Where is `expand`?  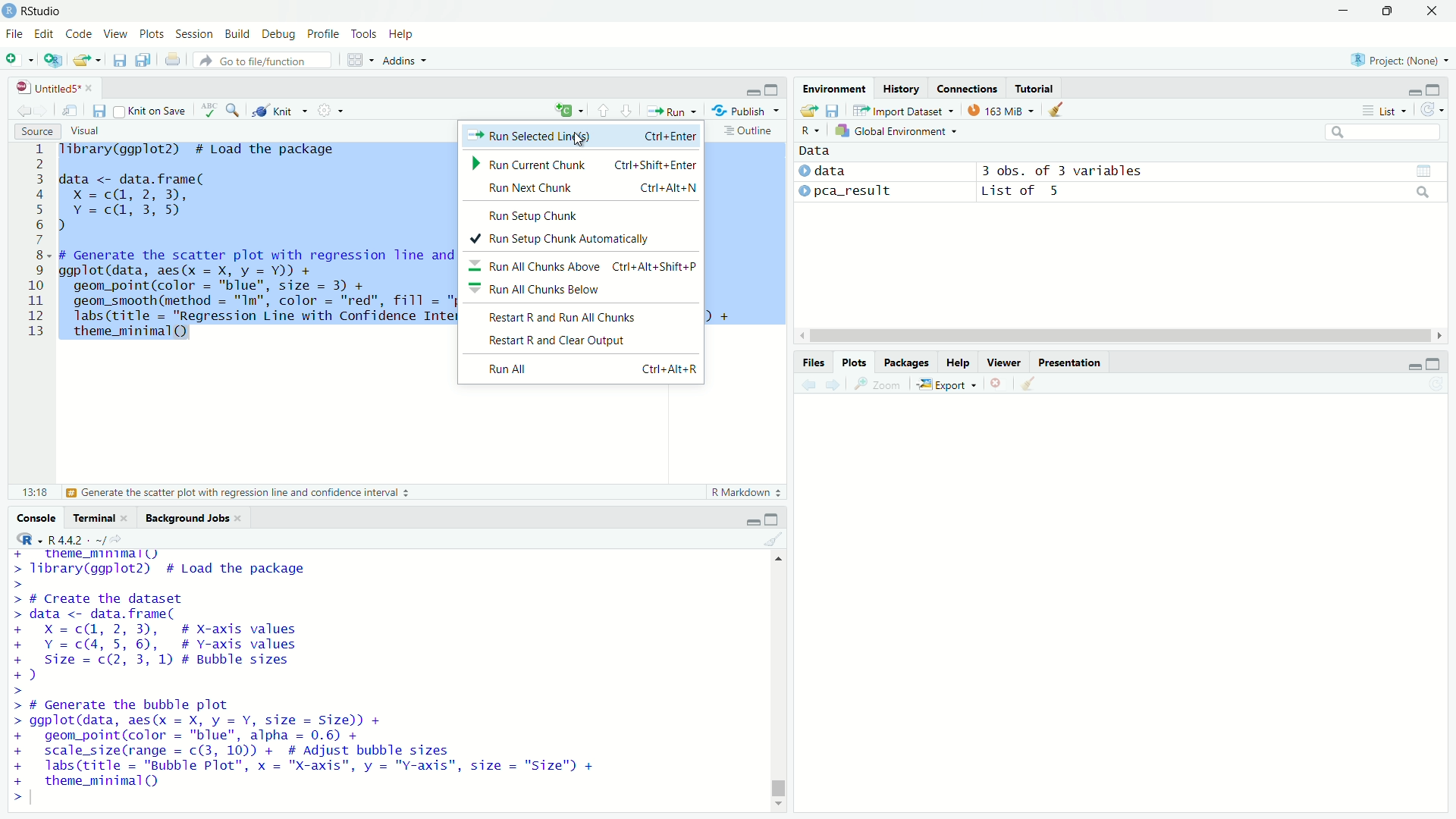
expand is located at coordinates (773, 89).